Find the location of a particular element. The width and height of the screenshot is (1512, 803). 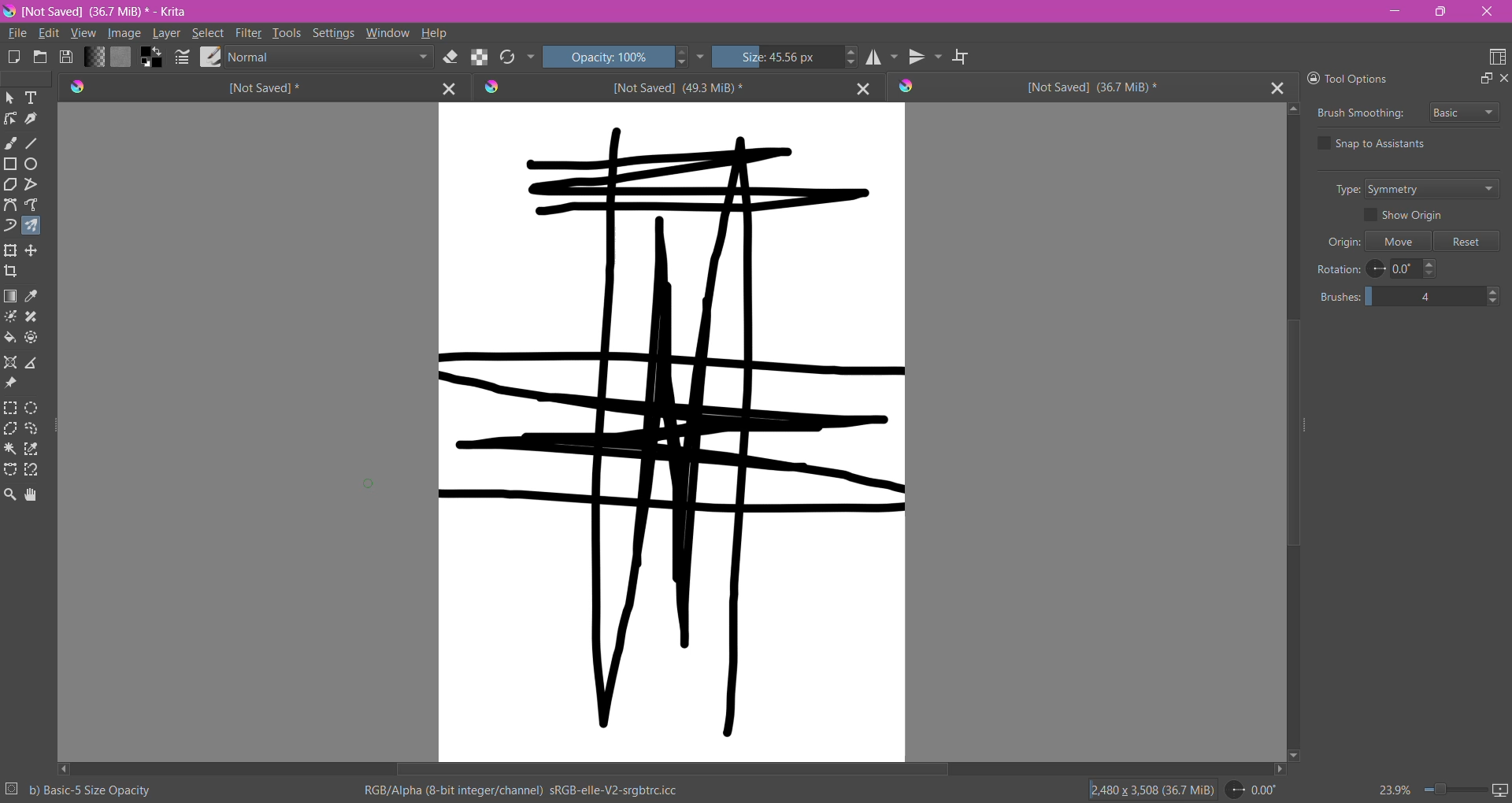

Create New Document is located at coordinates (13, 59).